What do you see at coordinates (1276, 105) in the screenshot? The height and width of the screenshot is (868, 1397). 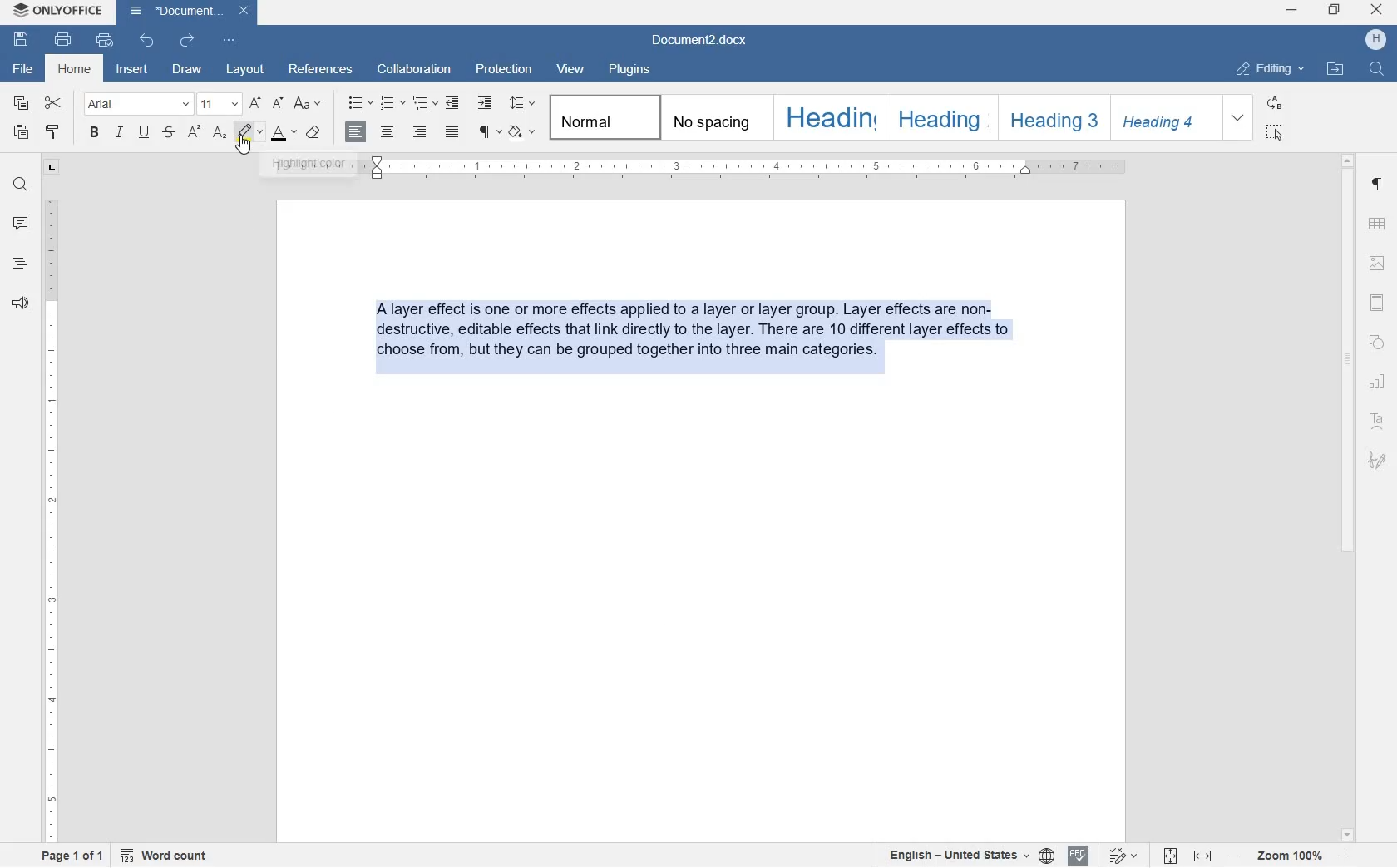 I see `replace` at bounding box center [1276, 105].